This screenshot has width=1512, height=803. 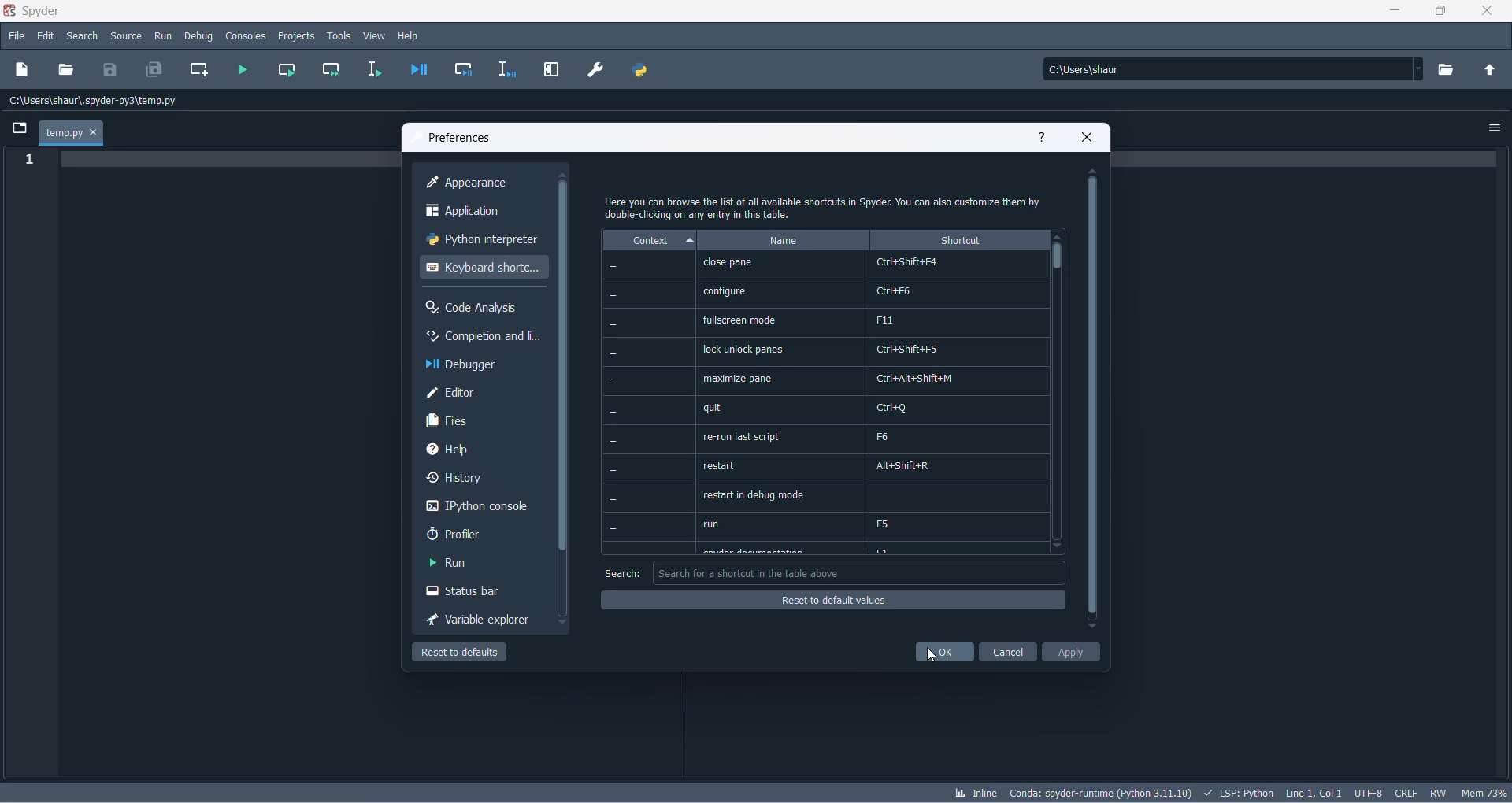 What do you see at coordinates (481, 392) in the screenshot?
I see `editor` at bounding box center [481, 392].